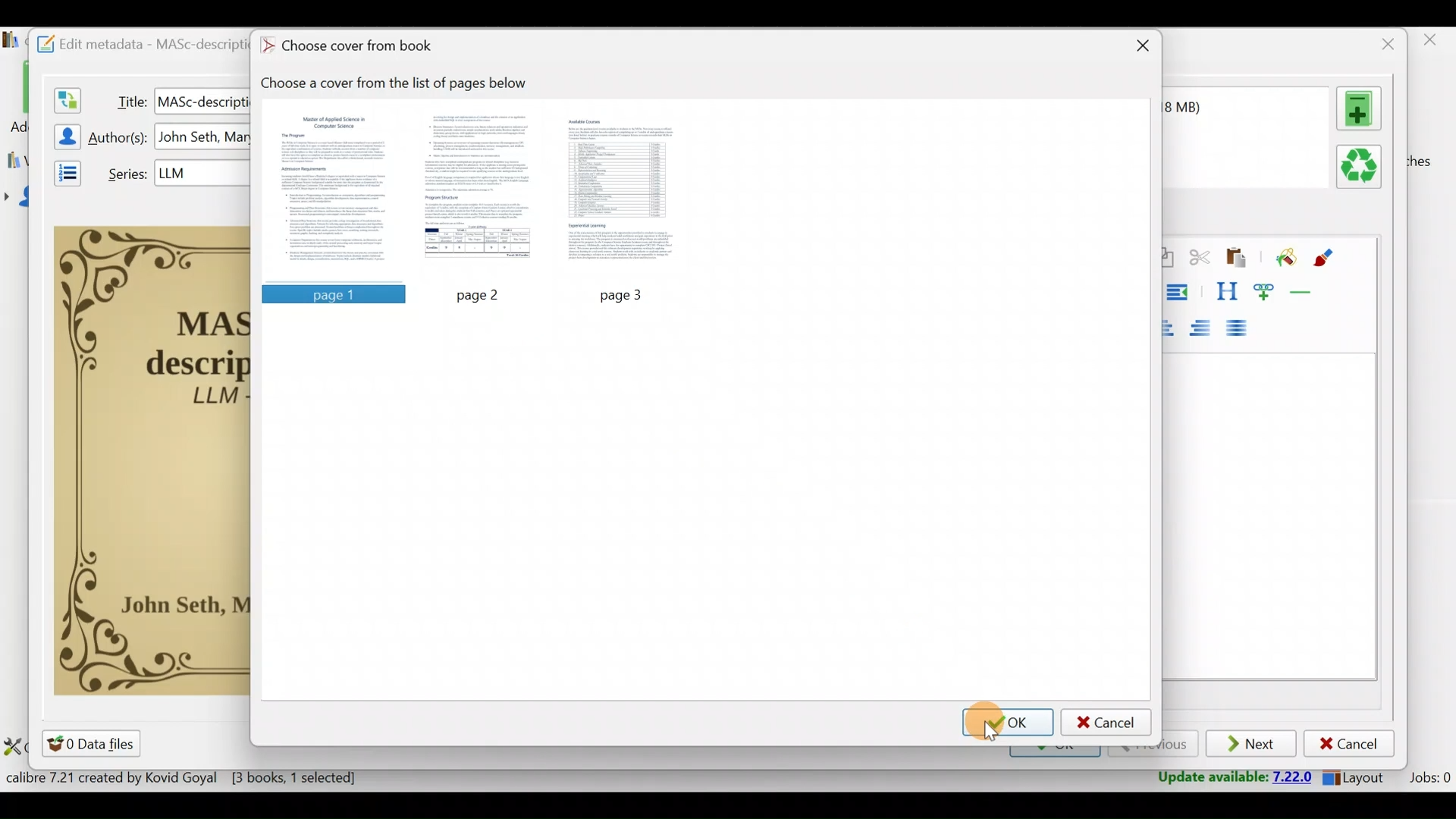 The height and width of the screenshot is (819, 1456). What do you see at coordinates (1384, 44) in the screenshot?
I see `Close` at bounding box center [1384, 44].